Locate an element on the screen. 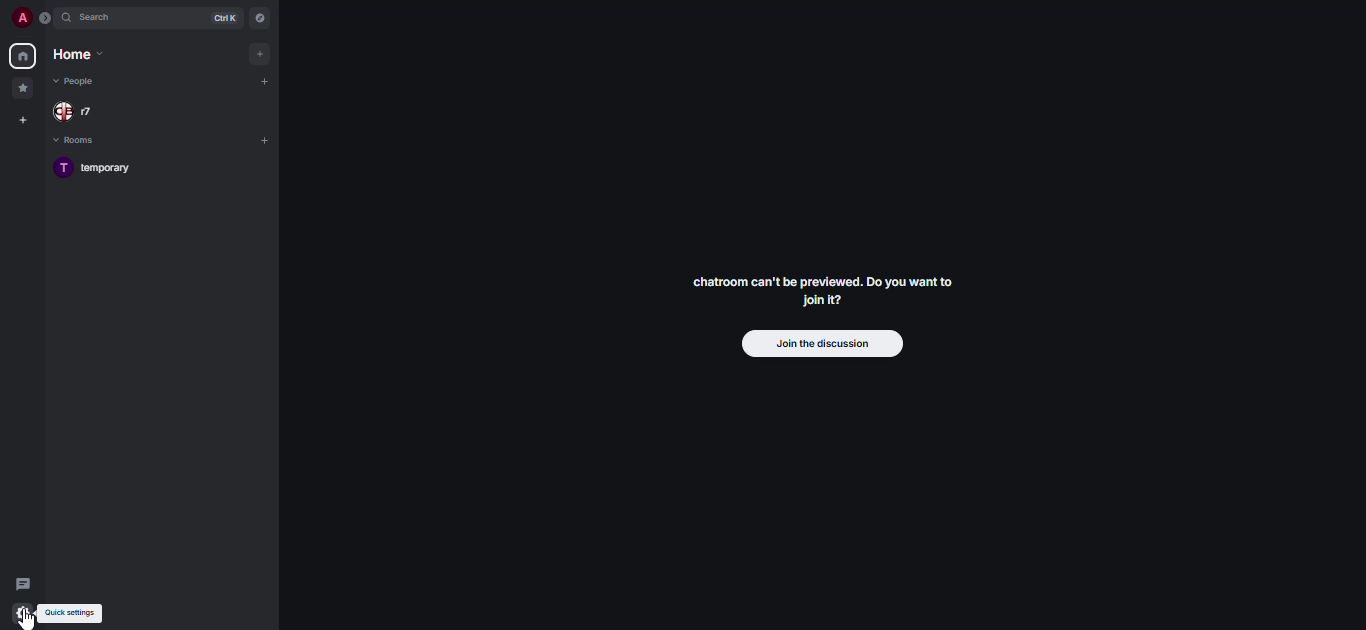 The height and width of the screenshot is (630, 1366). join the discussion is located at coordinates (821, 345).